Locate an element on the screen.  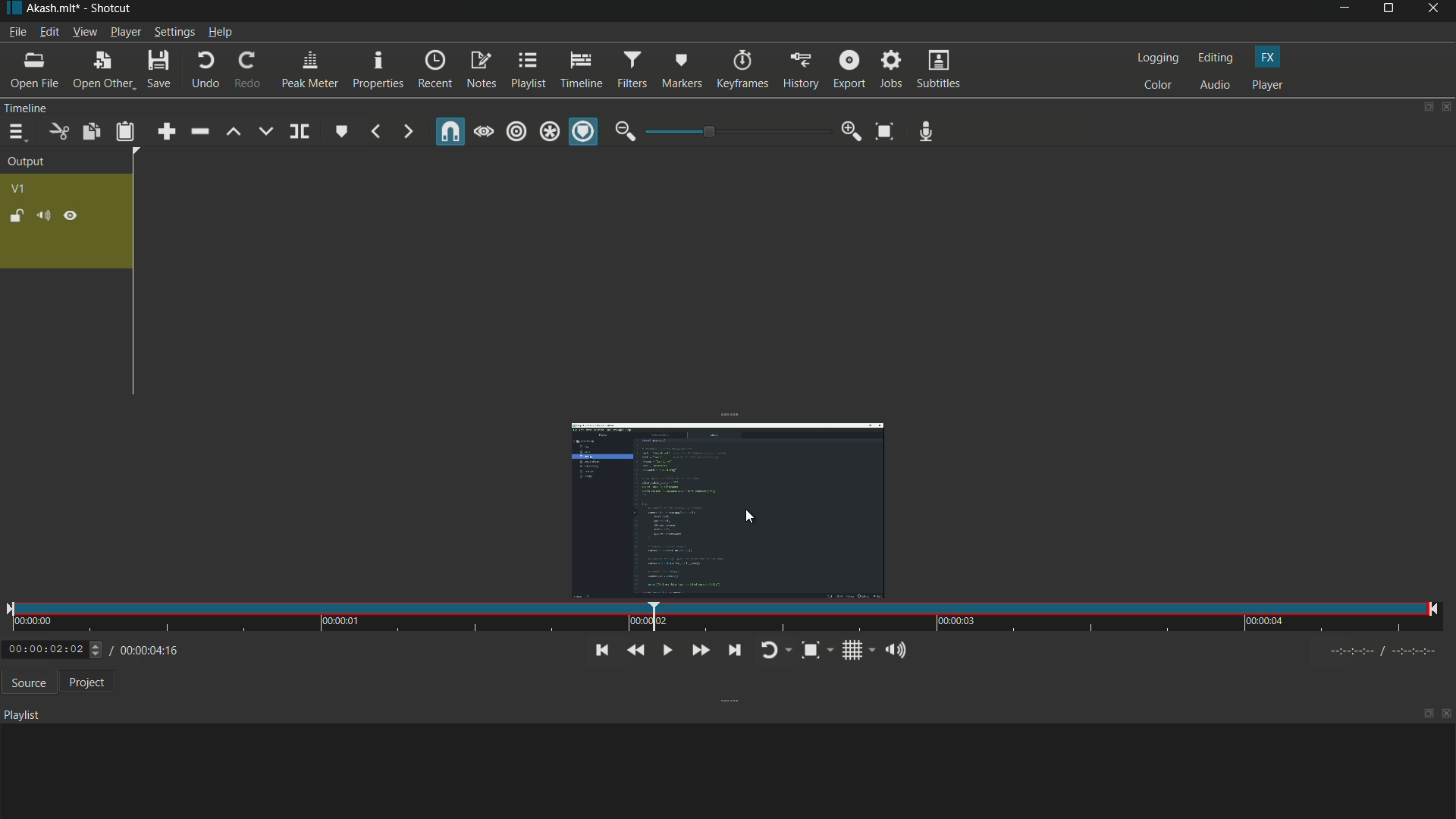
filters is located at coordinates (632, 69).